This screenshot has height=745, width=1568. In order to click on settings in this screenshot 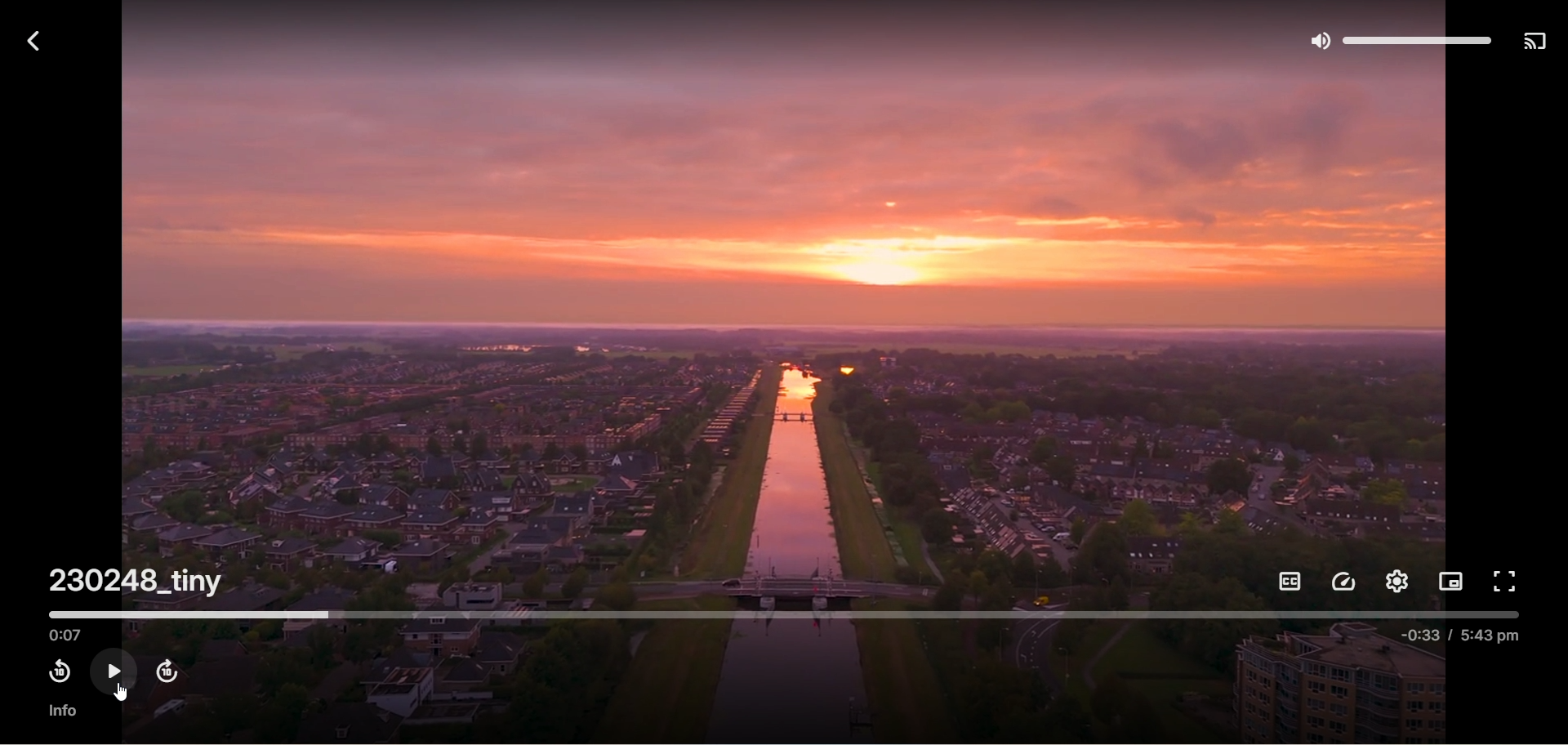, I will do `click(1399, 581)`.